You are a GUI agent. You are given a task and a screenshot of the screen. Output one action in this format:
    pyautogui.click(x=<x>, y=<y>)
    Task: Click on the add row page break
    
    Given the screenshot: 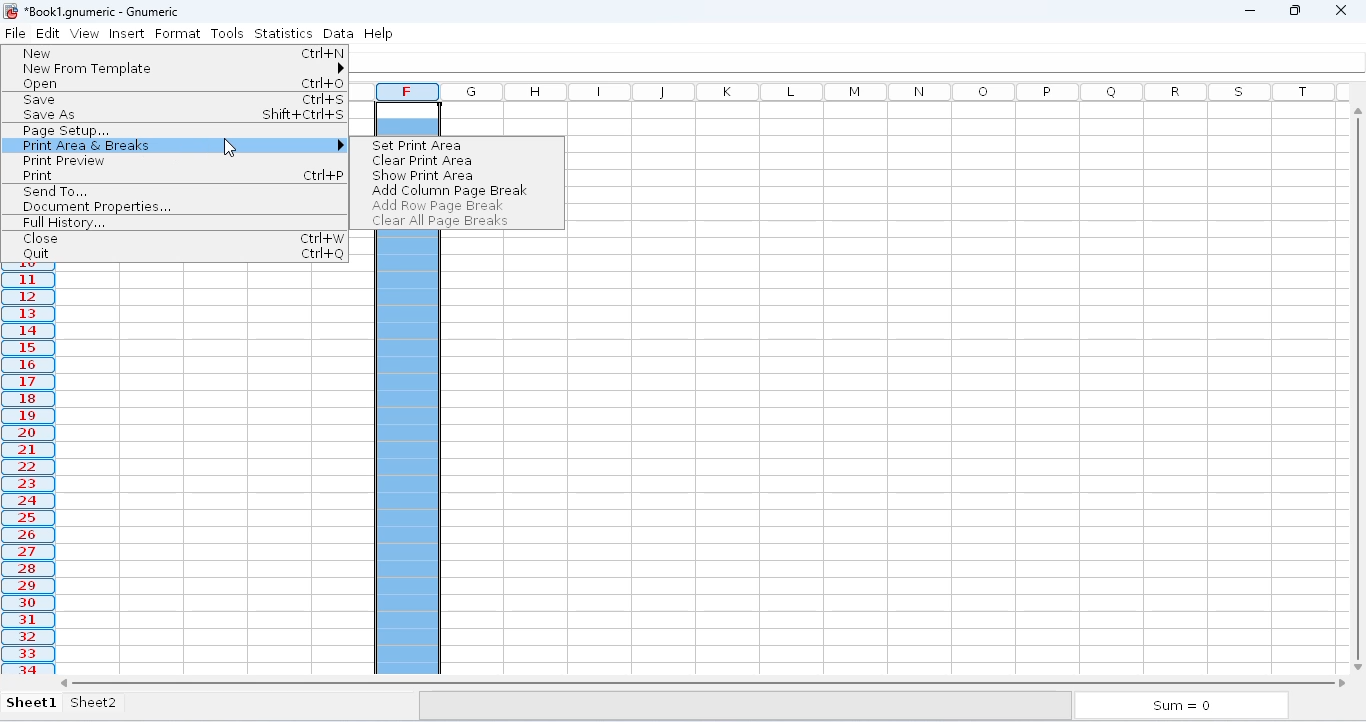 What is the action you would take?
    pyautogui.click(x=435, y=205)
    